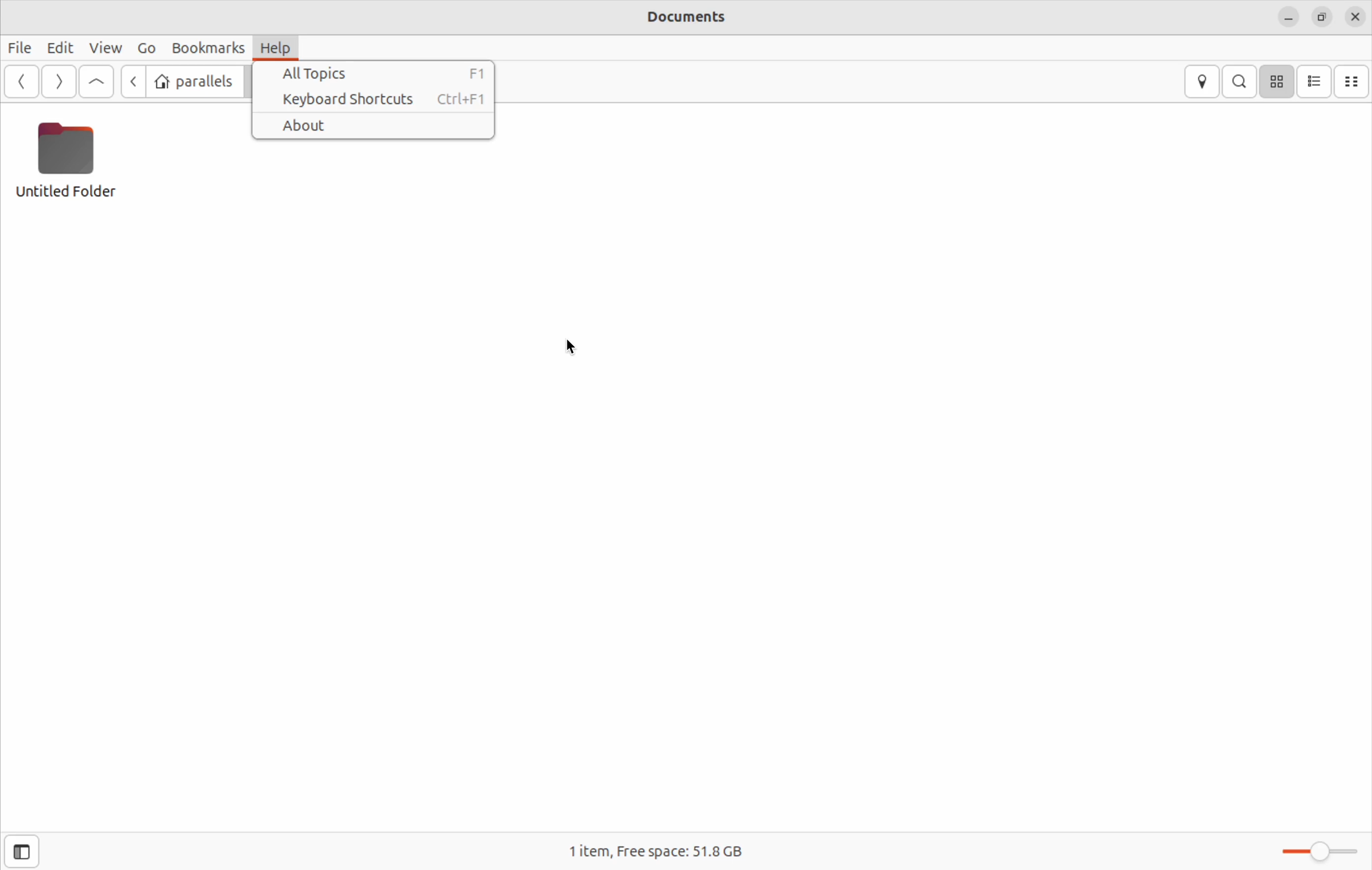 Image resolution: width=1372 pixels, height=870 pixels. What do you see at coordinates (96, 83) in the screenshot?
I see `go up` at bounding box center [96, 83].